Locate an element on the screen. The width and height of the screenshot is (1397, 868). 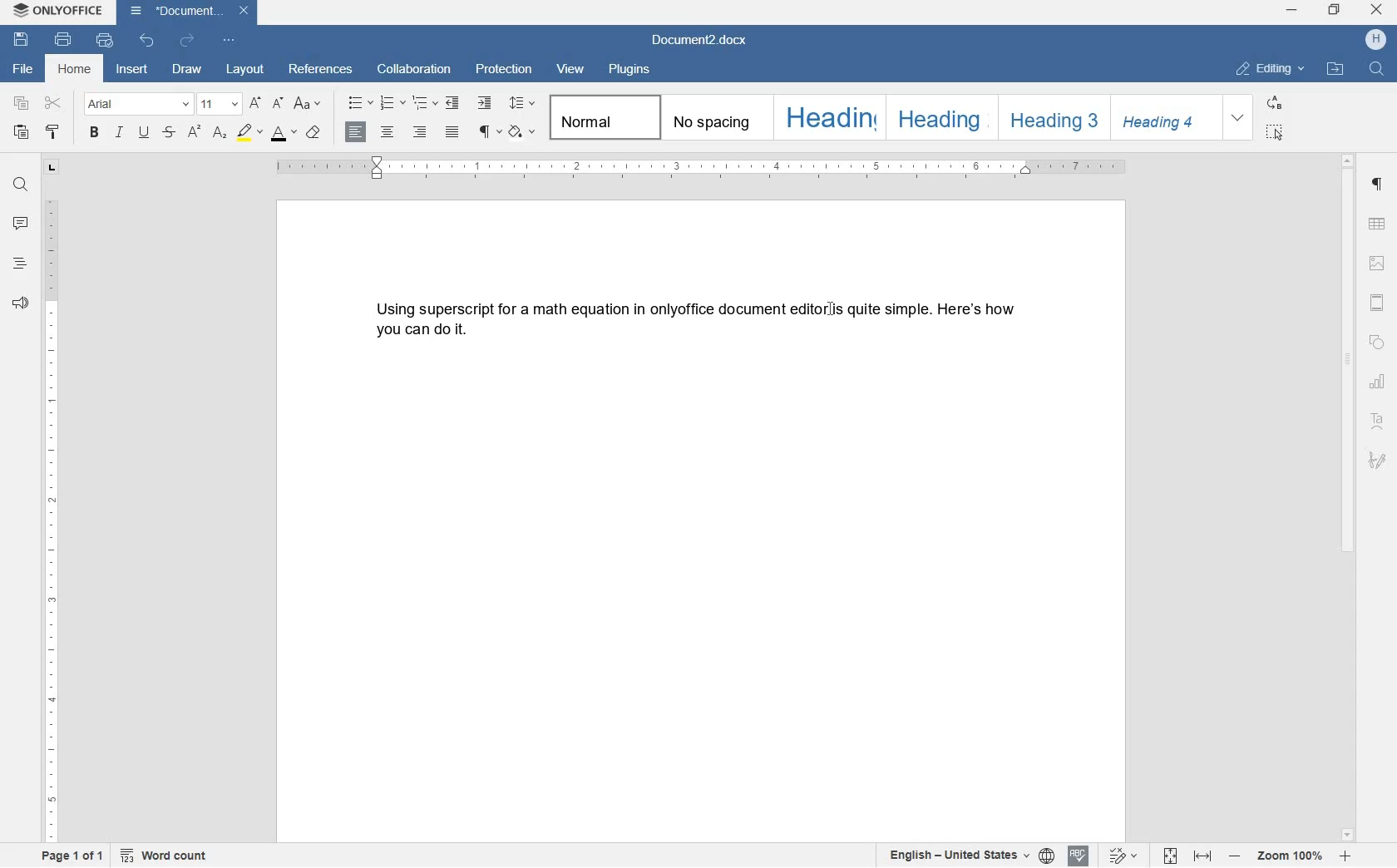
copy style is located at coordinates (52, 133).